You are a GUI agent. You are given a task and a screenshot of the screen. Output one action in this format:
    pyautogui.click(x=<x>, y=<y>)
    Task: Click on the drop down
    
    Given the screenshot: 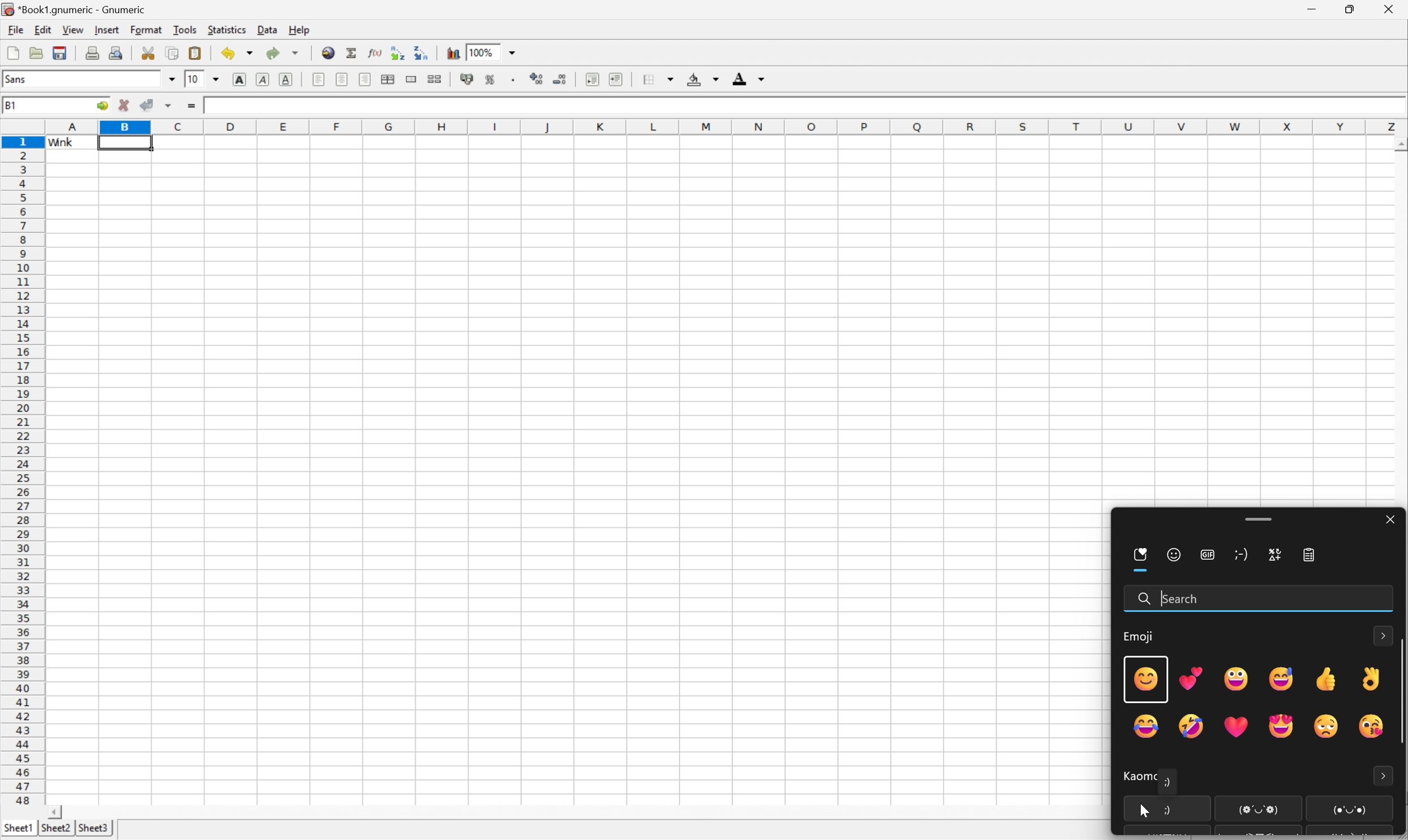 What is the action you would take?
    pyautogui.click(x=514, y=52)
    